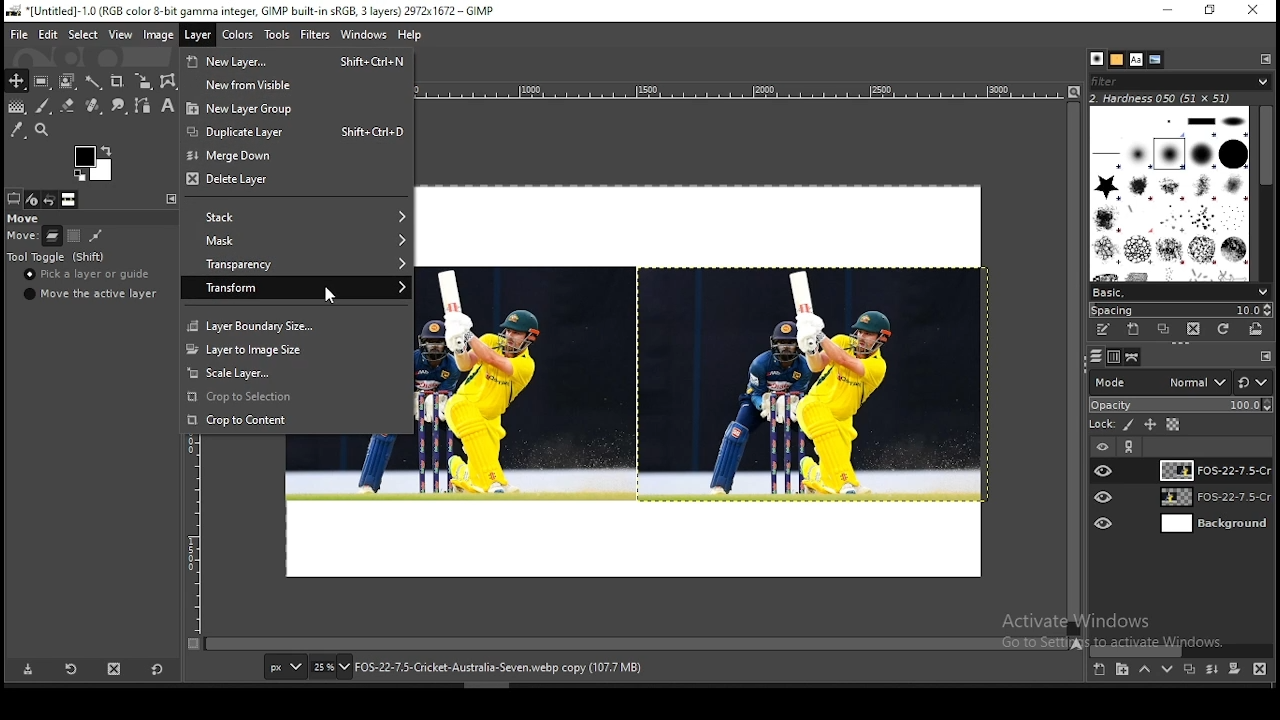  I want to click on move, so click(22, 238).